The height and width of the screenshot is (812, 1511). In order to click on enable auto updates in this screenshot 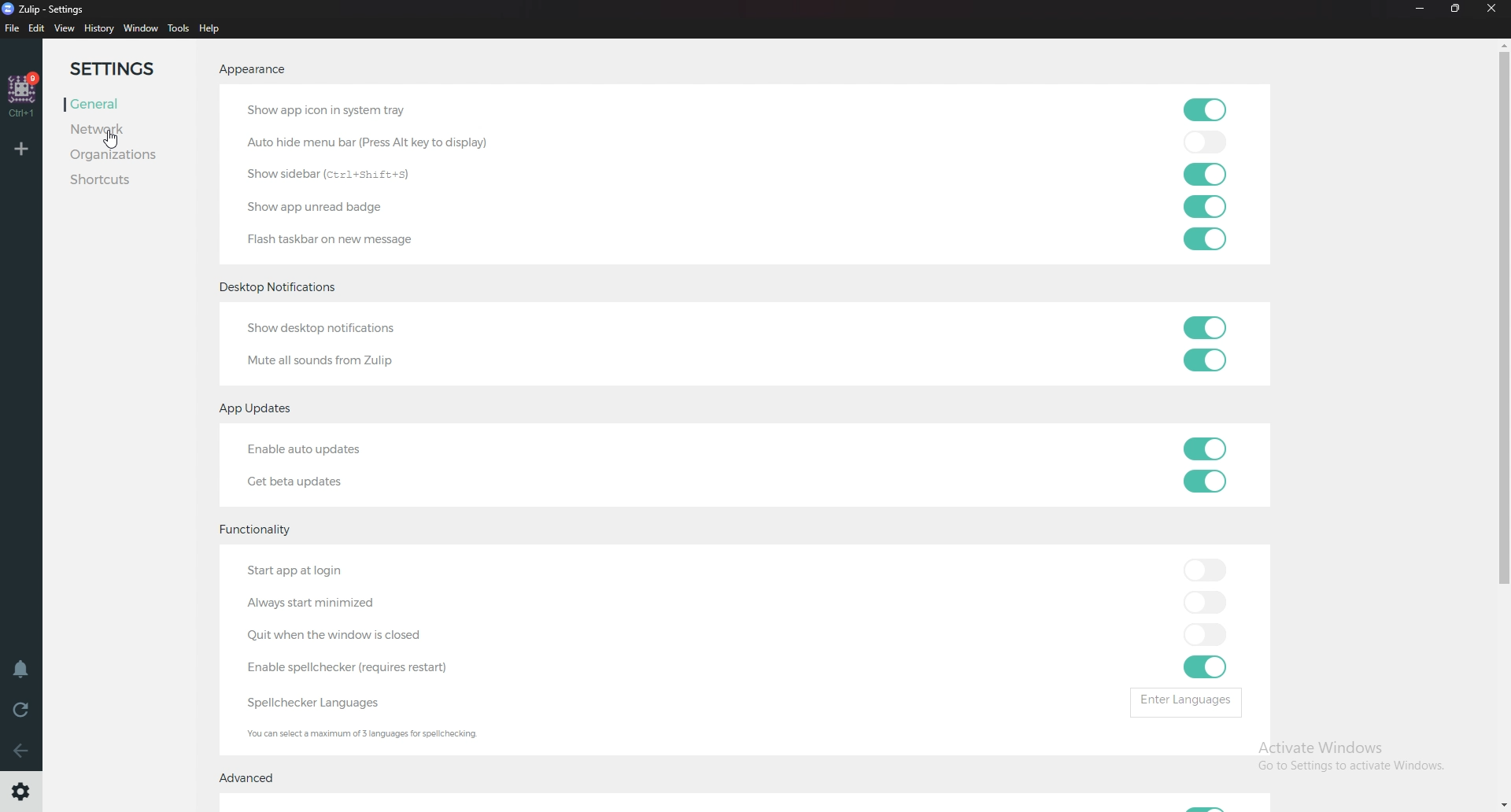, I will do `click(340, 448)`.